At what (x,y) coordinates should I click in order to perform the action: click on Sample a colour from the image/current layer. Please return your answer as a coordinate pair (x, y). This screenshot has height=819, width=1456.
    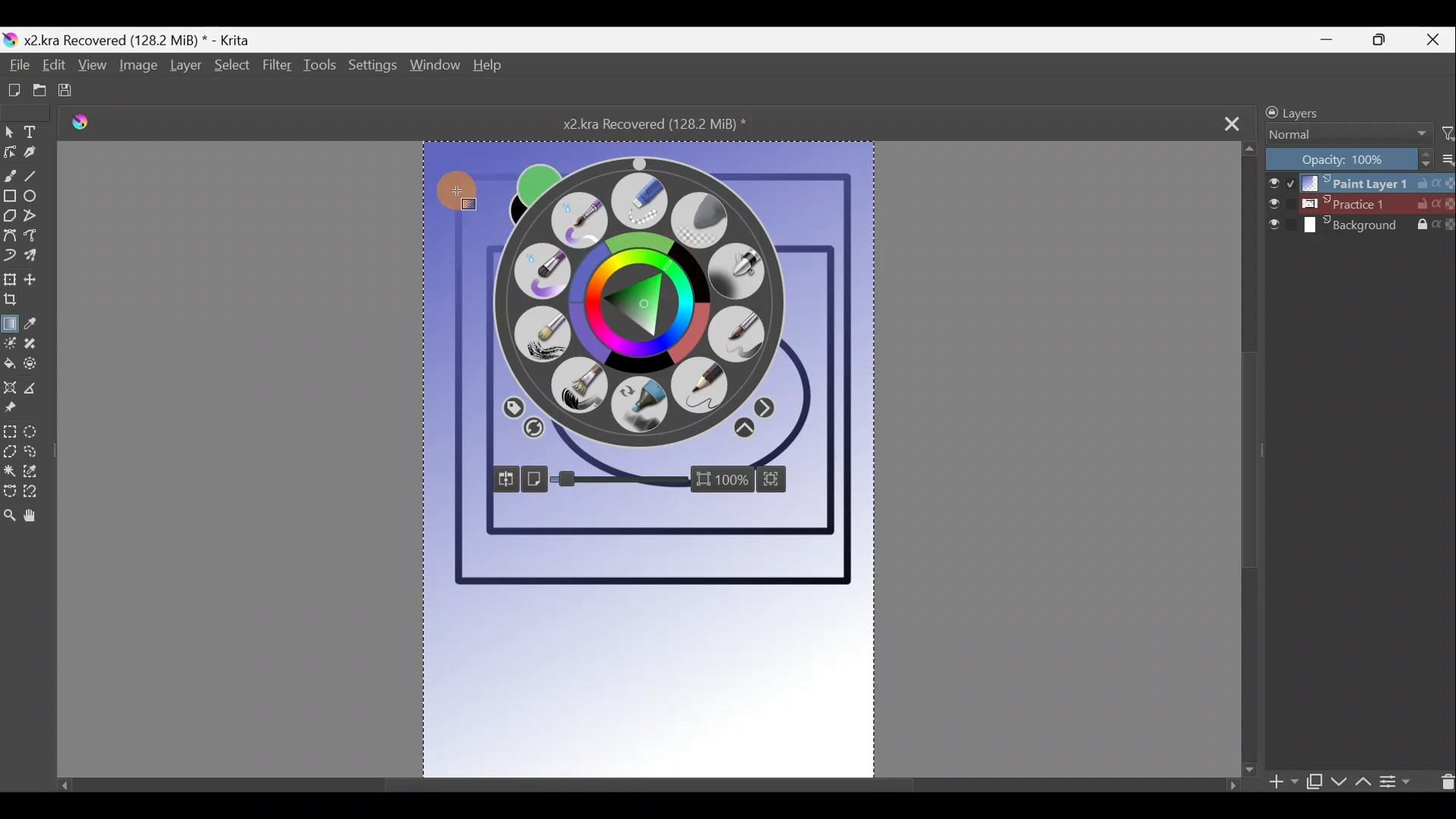
    Looking at the image, I should click on (34, 324).